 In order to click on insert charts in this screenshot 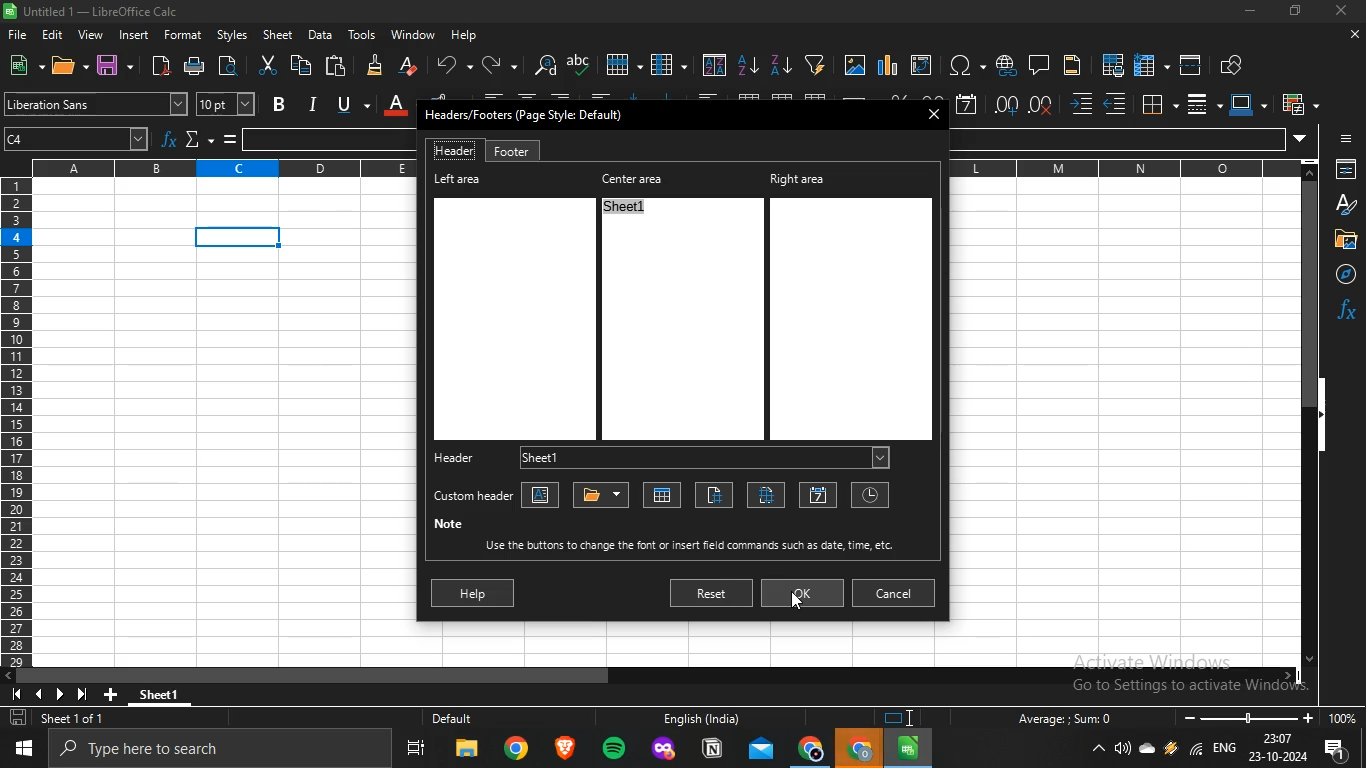, I will do `click(888, 65)`.